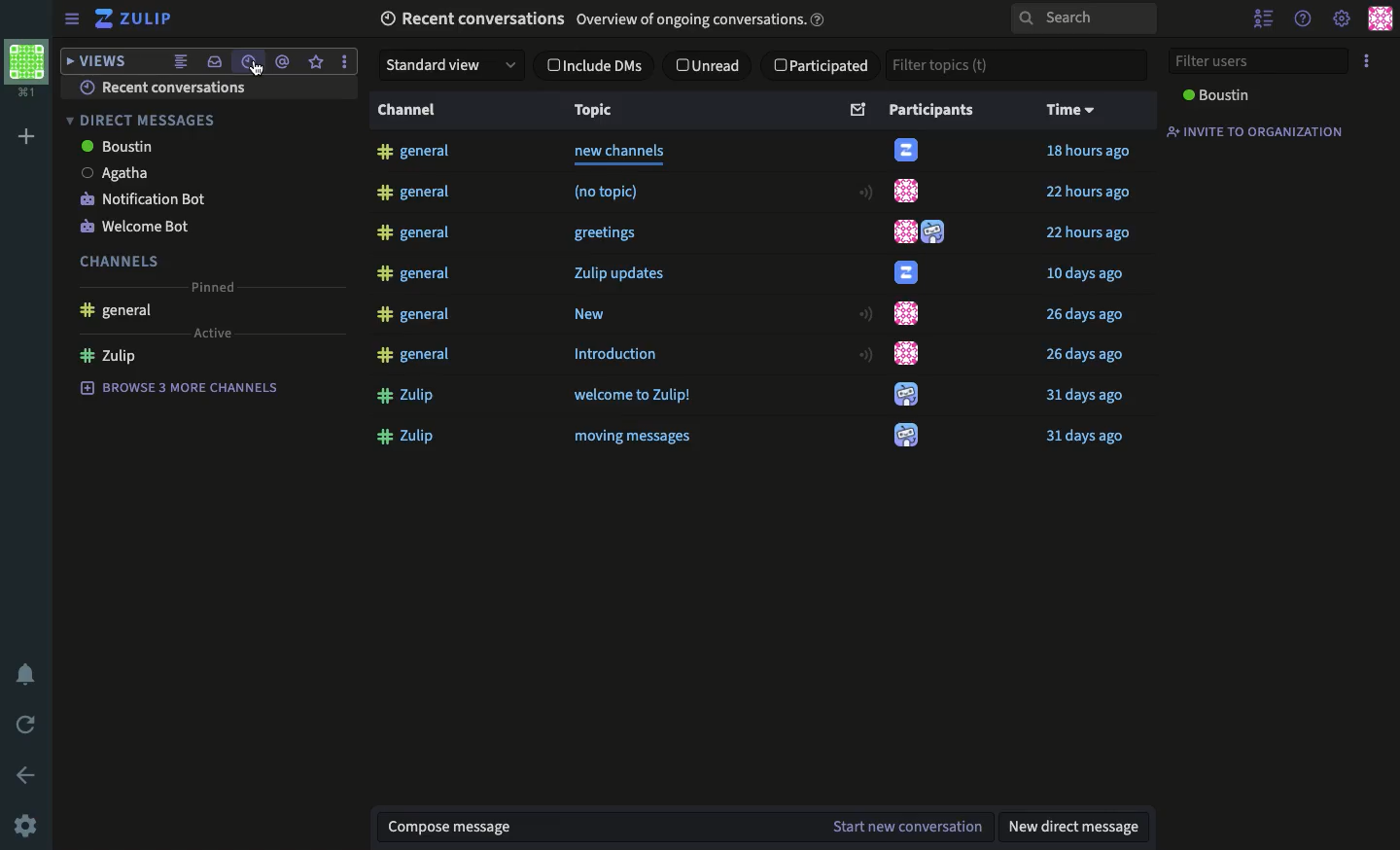  What do you see at coordinates (1086, 315) in the screenshot?
I see `26 days ago` at bounding box center [1086, 315].